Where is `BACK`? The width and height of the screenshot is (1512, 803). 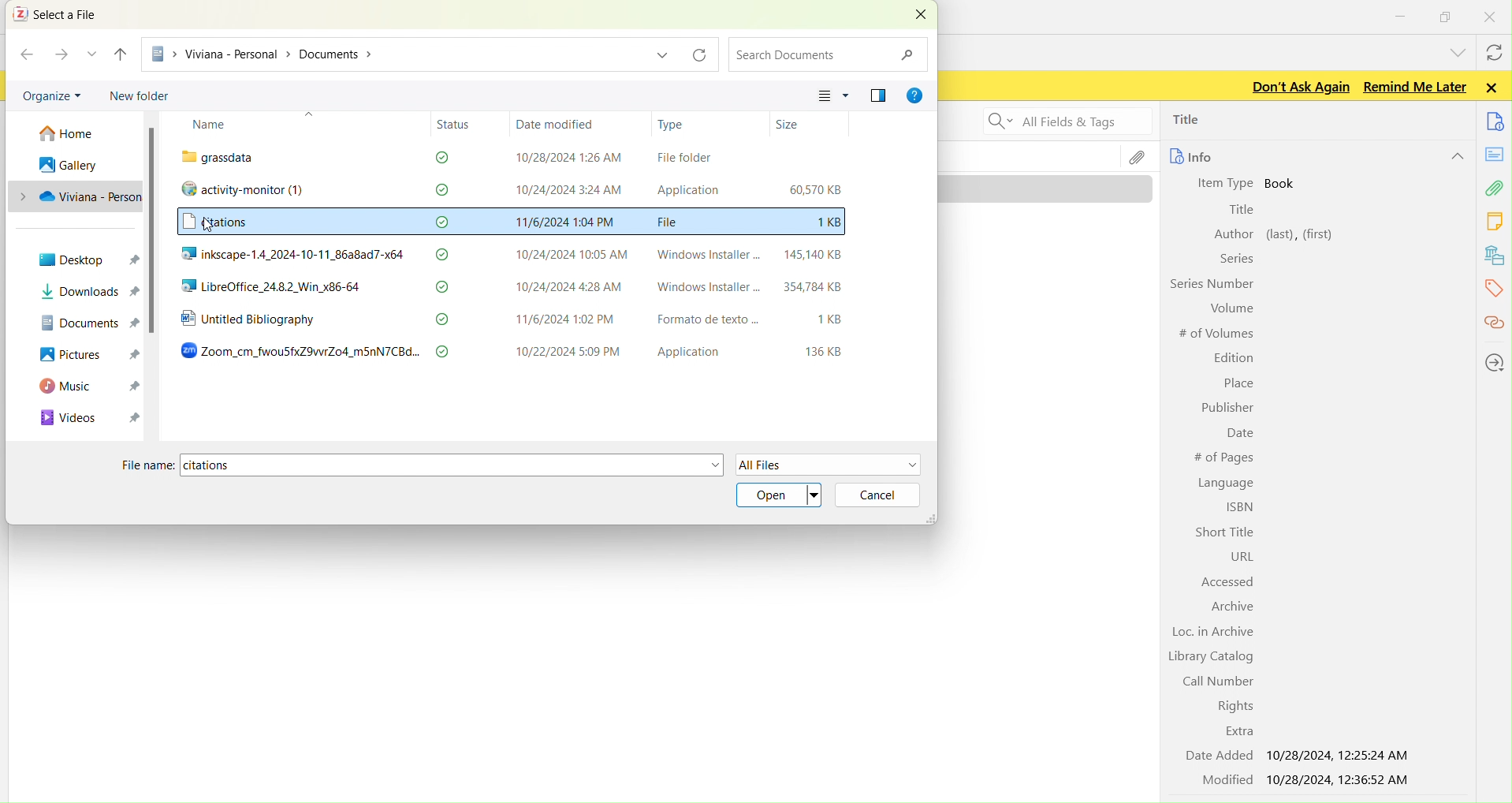
BACK is located at coordinates (27, 56).